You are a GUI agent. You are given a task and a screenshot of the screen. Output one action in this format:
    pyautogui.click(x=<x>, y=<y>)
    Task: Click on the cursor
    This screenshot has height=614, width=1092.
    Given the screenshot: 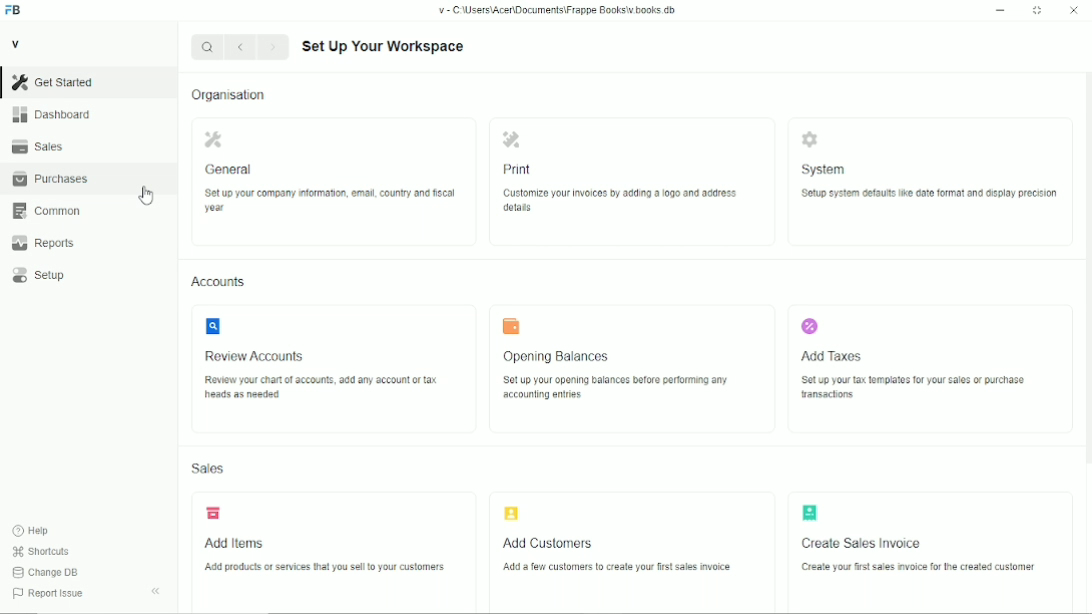 What is the action you would take?
    pyautogui.click(x=147, y=196)
    